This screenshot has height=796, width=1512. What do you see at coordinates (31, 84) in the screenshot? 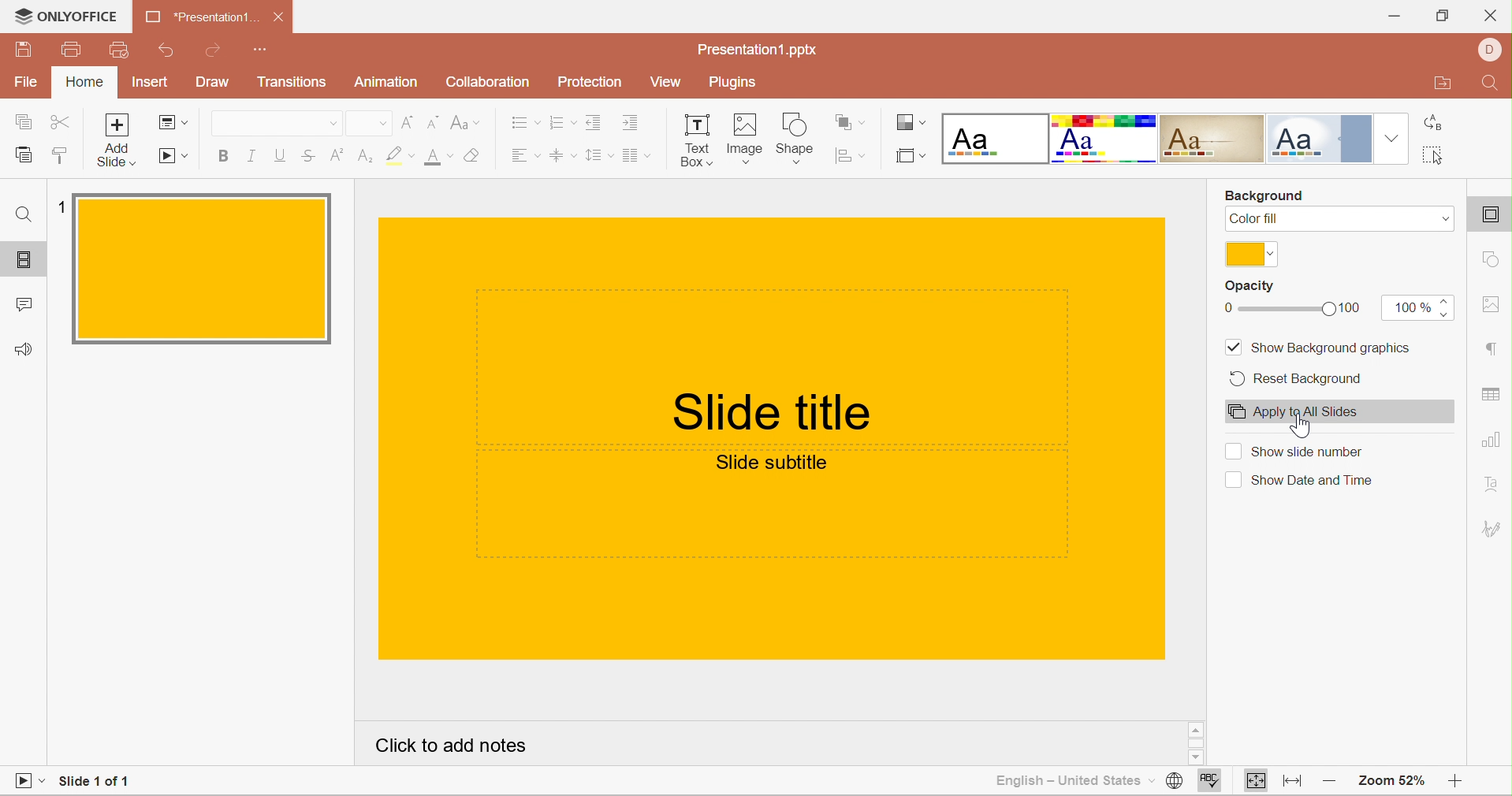
I see `File` at bounding box center [31, 84].